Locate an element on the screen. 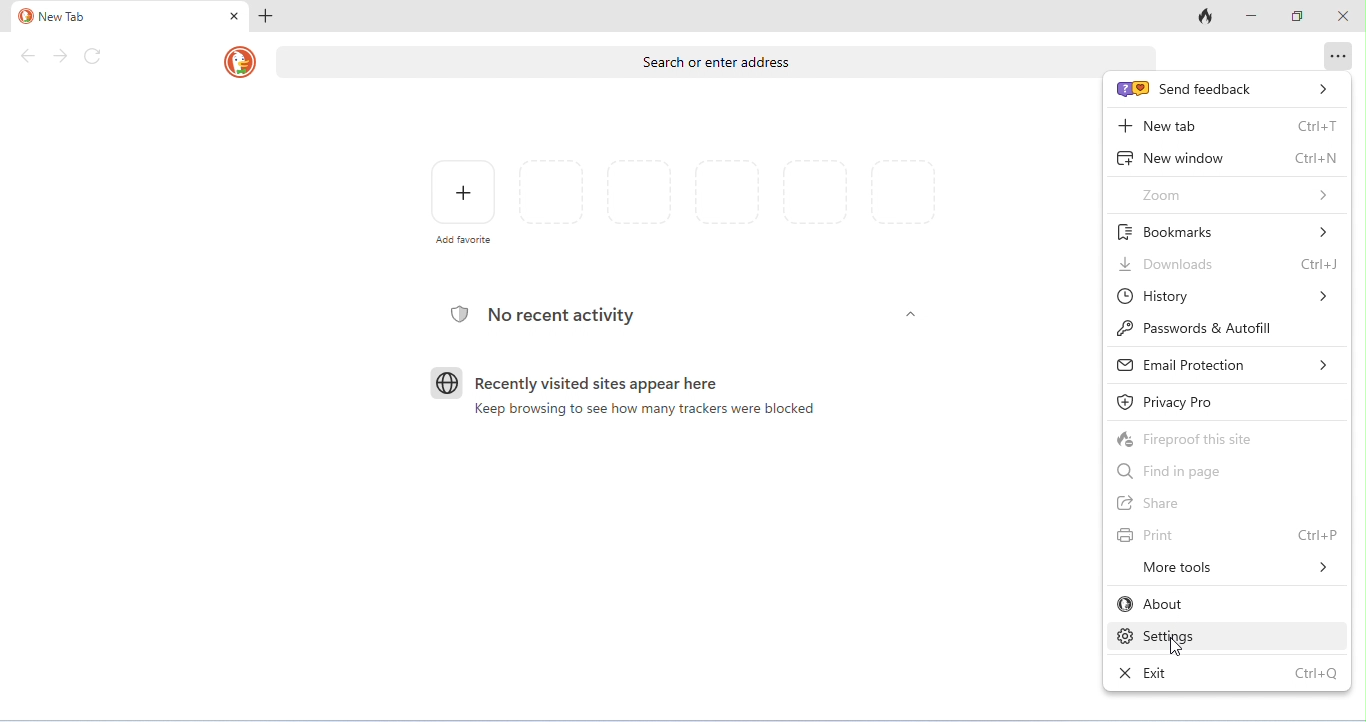 This screenshot has height=722, width=1366. collapse activity is located at coordinates (911, 314).